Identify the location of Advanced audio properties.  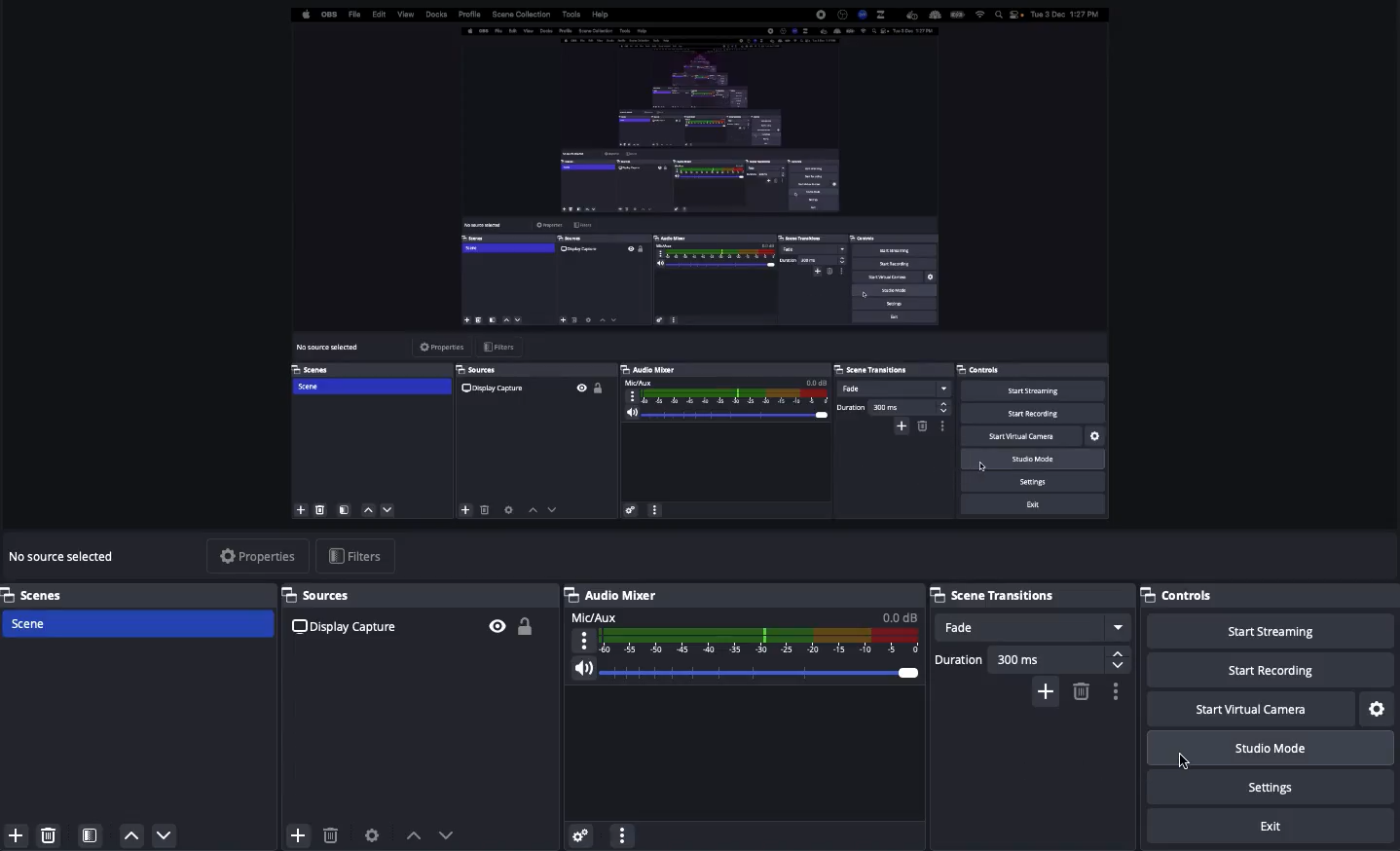
(582, 832).